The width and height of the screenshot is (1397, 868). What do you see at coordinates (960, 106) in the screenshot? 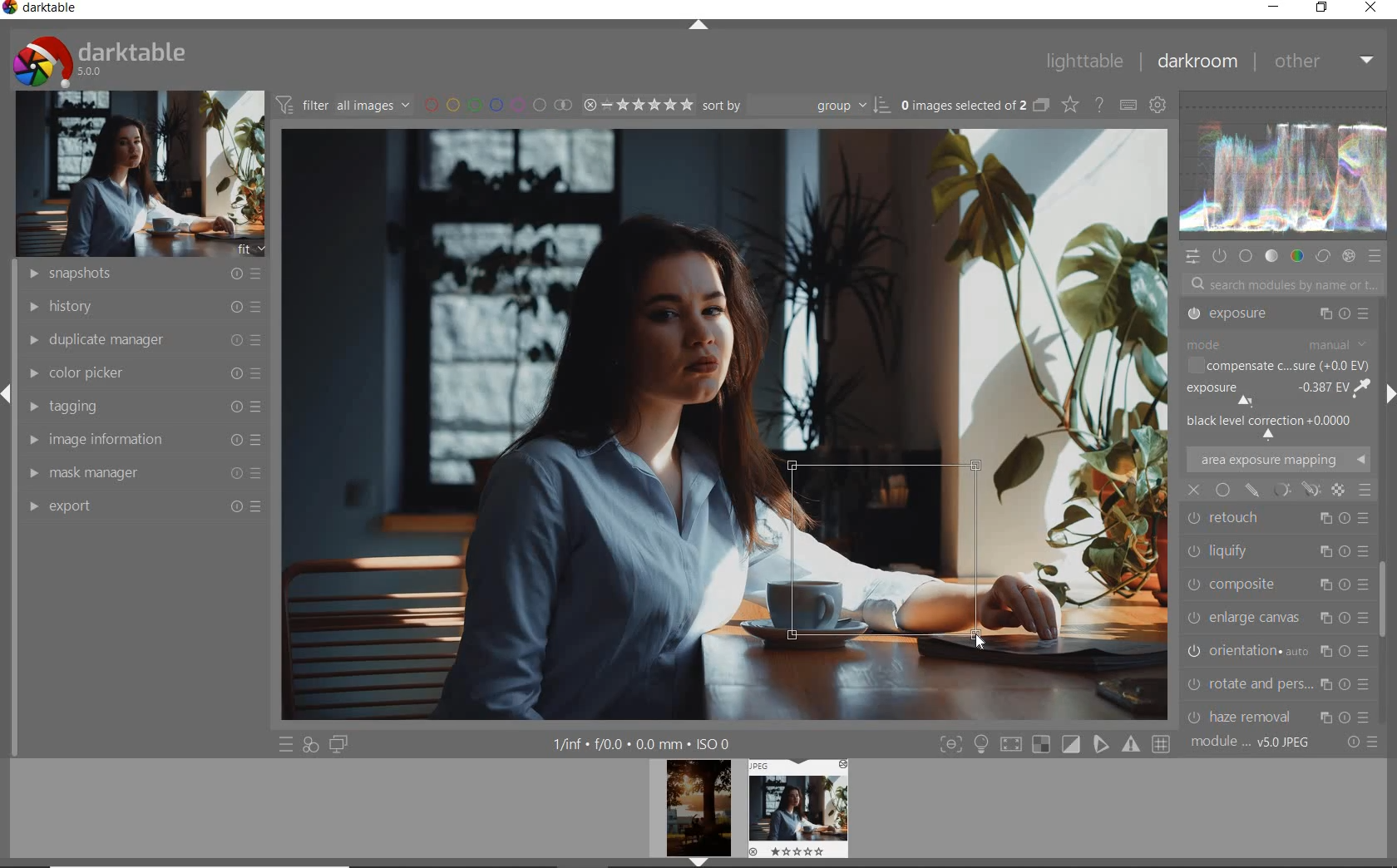
I see `SELECTED IMAGES` at bounding box center [960, 106].